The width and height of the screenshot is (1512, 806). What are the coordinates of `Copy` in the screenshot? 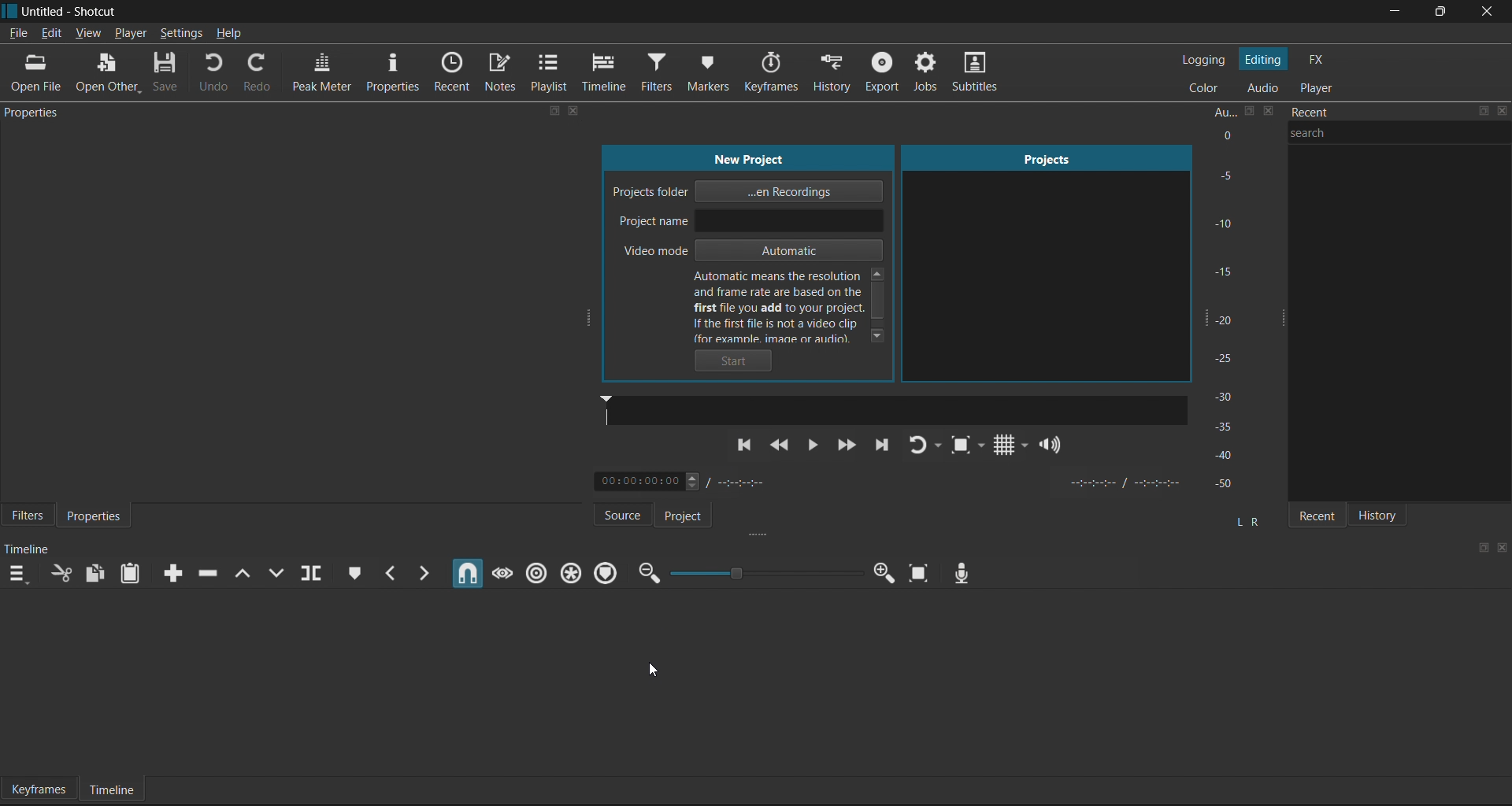 It's located at (95, 574).